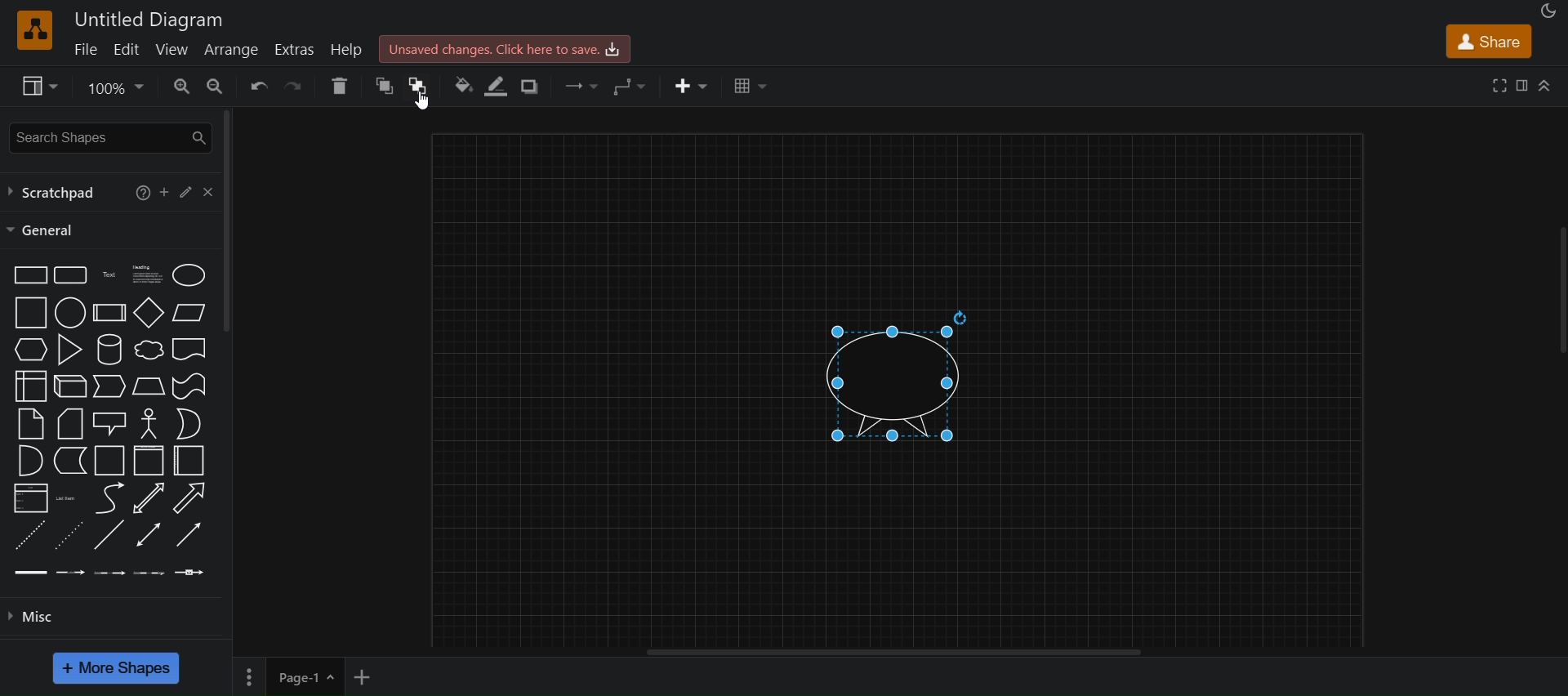 Image resolution: width=1568 pixels, height=696 pixels. I want to click on triangle, so click(69, 349).